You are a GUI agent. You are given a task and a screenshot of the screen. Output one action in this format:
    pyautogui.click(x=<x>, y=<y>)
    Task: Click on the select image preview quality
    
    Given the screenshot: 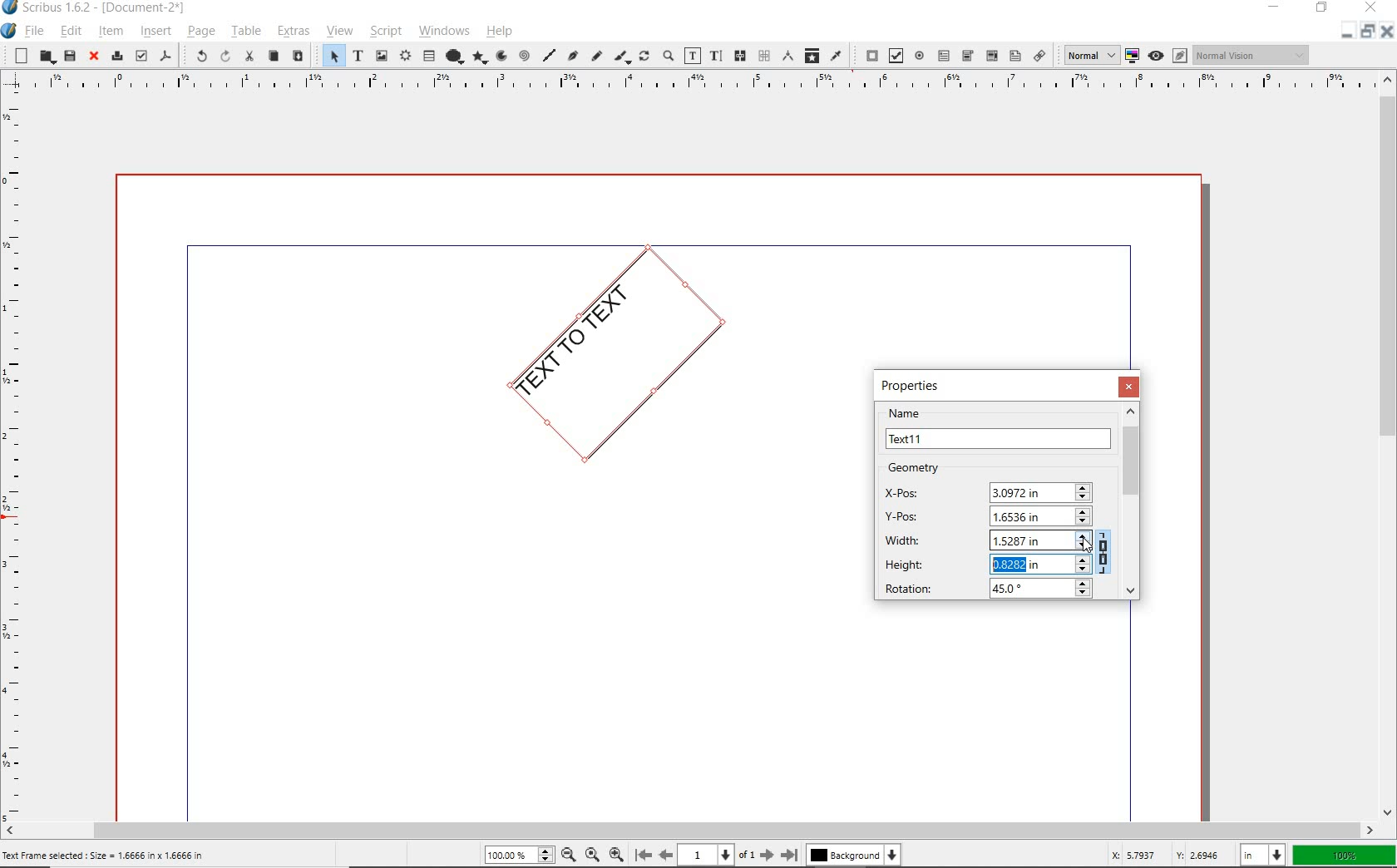 What is the action you would take?
    pyautogui.click(x=1088, y=54)
    